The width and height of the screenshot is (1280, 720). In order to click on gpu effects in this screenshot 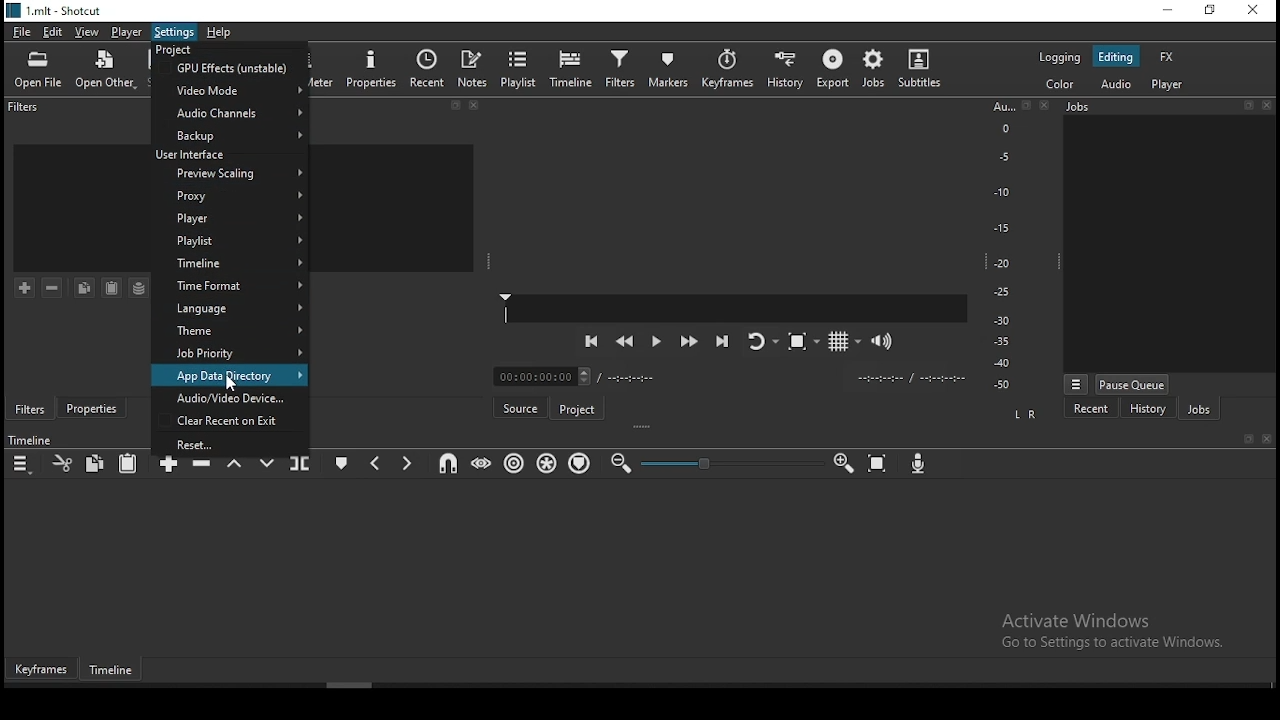, I will do `click(230, 69)`.